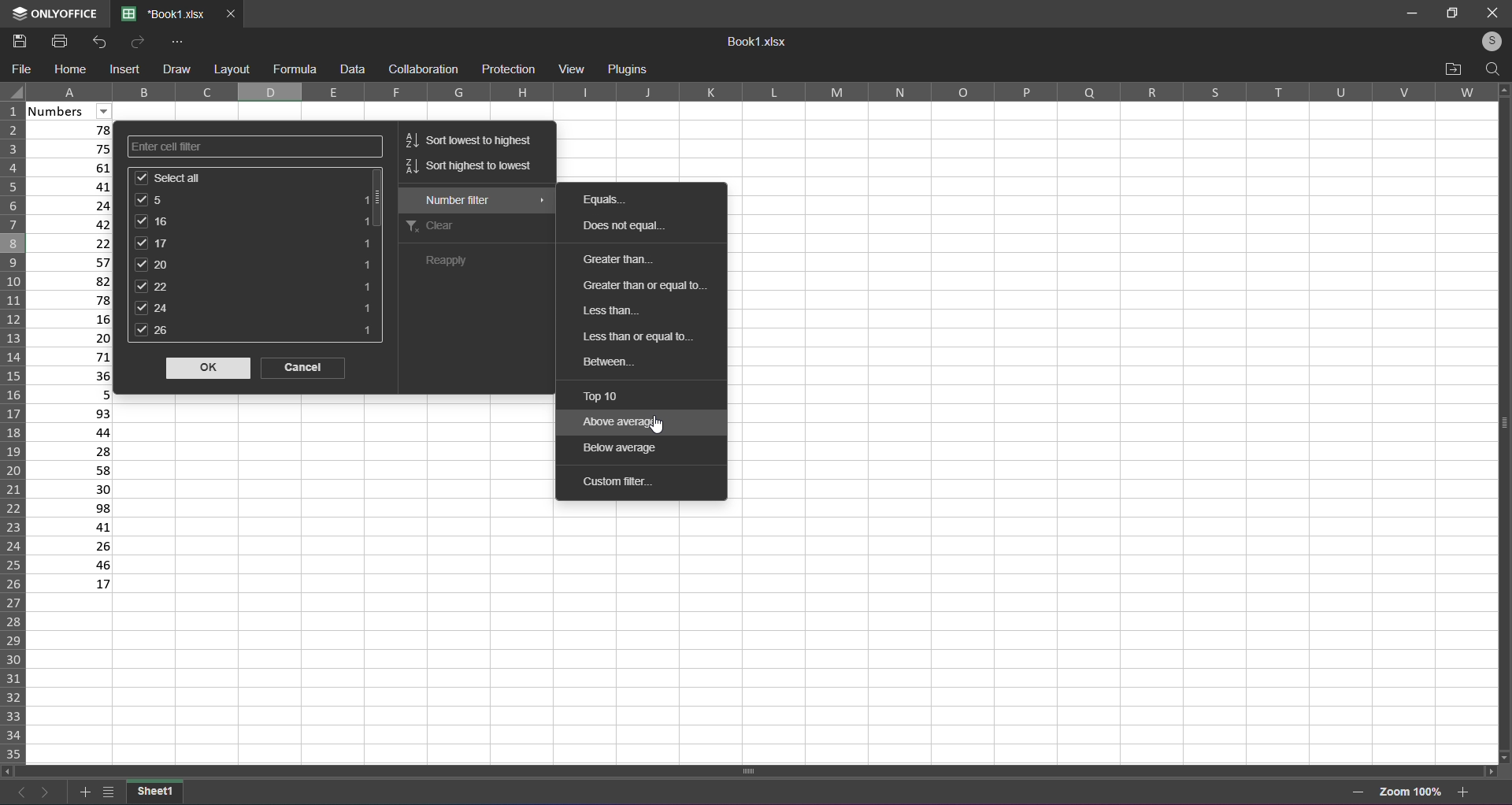 Image resolution: width=1512 pixels, height=805 pixels. Describe the element at coordinates (71, 394) in the screenshot. I see `5` at that location.